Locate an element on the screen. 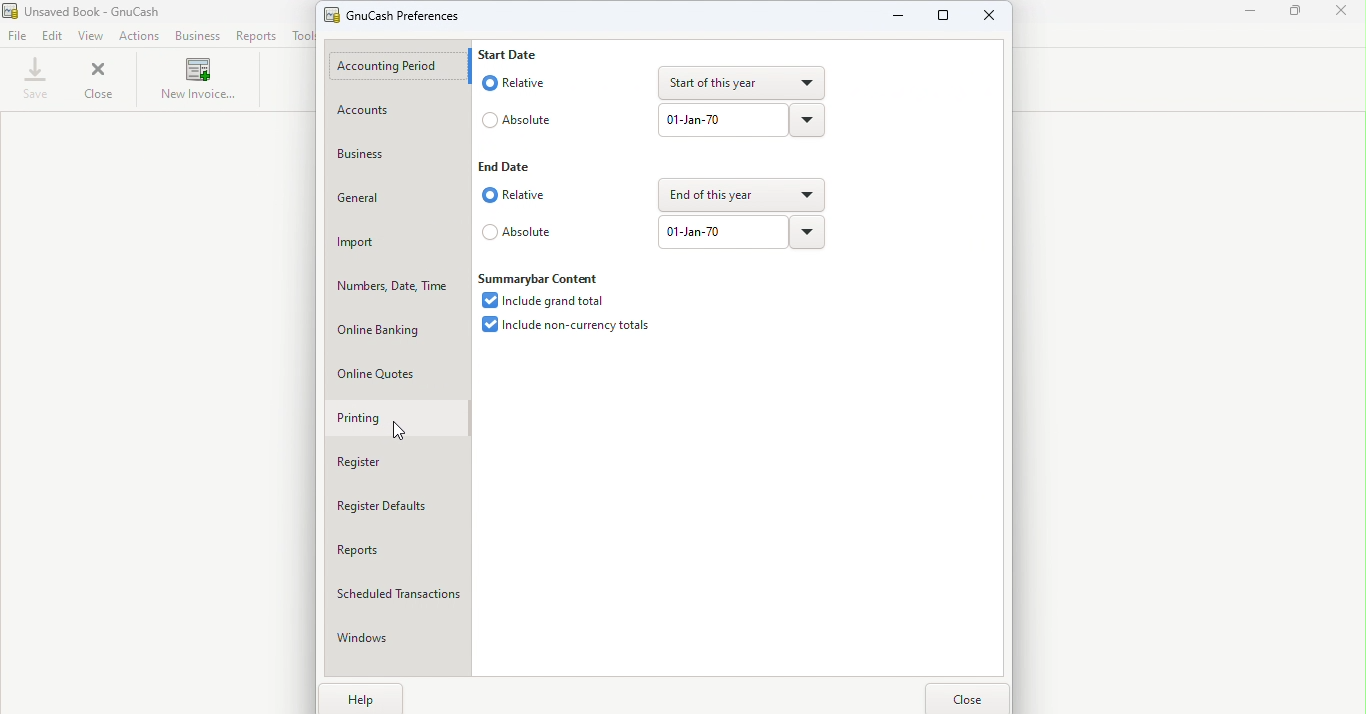 The width and height of the screenshot is (1366, 714). Online quotes is located at coordinates (400, 375).